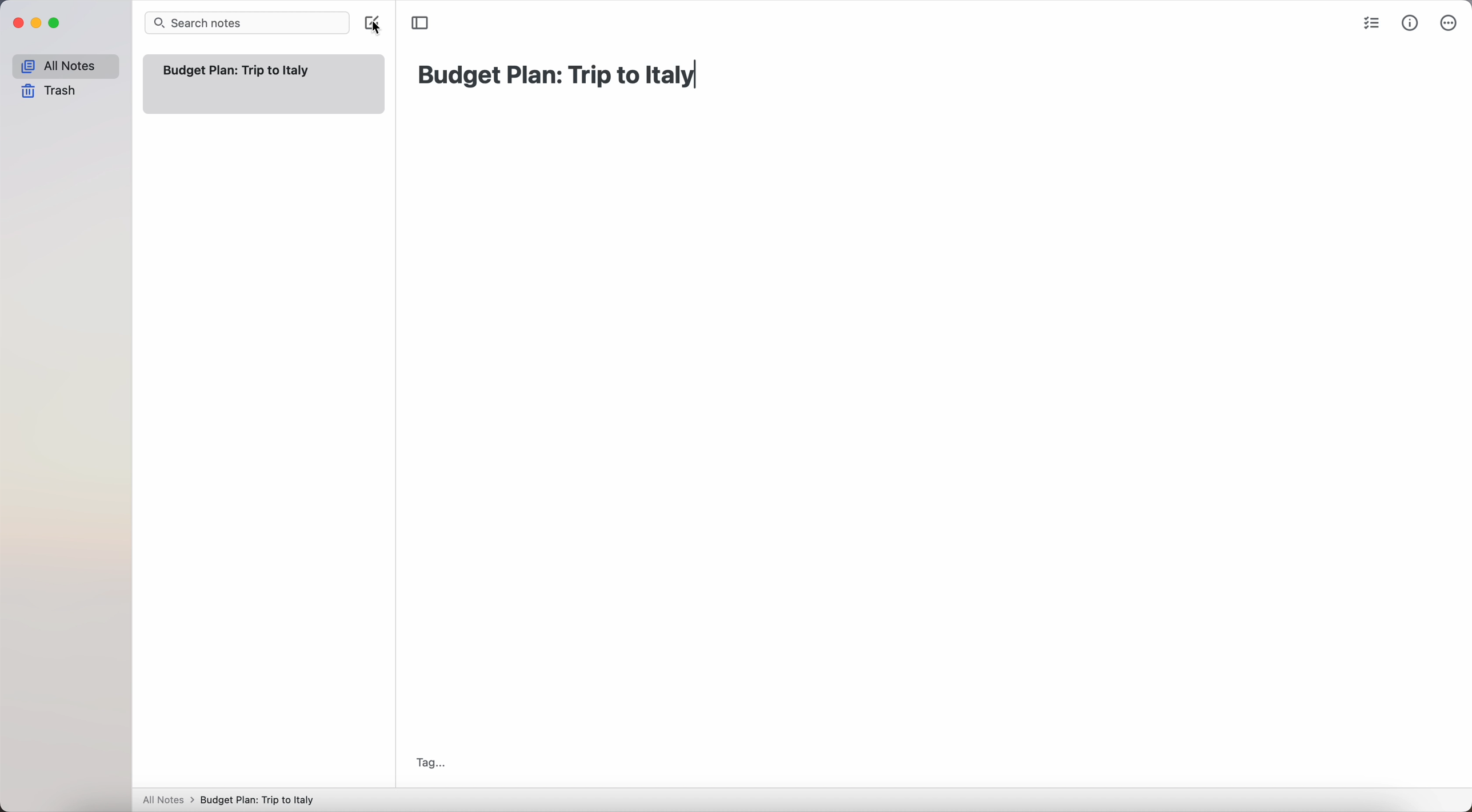 This screenshot has width=1472, height=812. I want to click on toggle sidebar, so click(421, 22).